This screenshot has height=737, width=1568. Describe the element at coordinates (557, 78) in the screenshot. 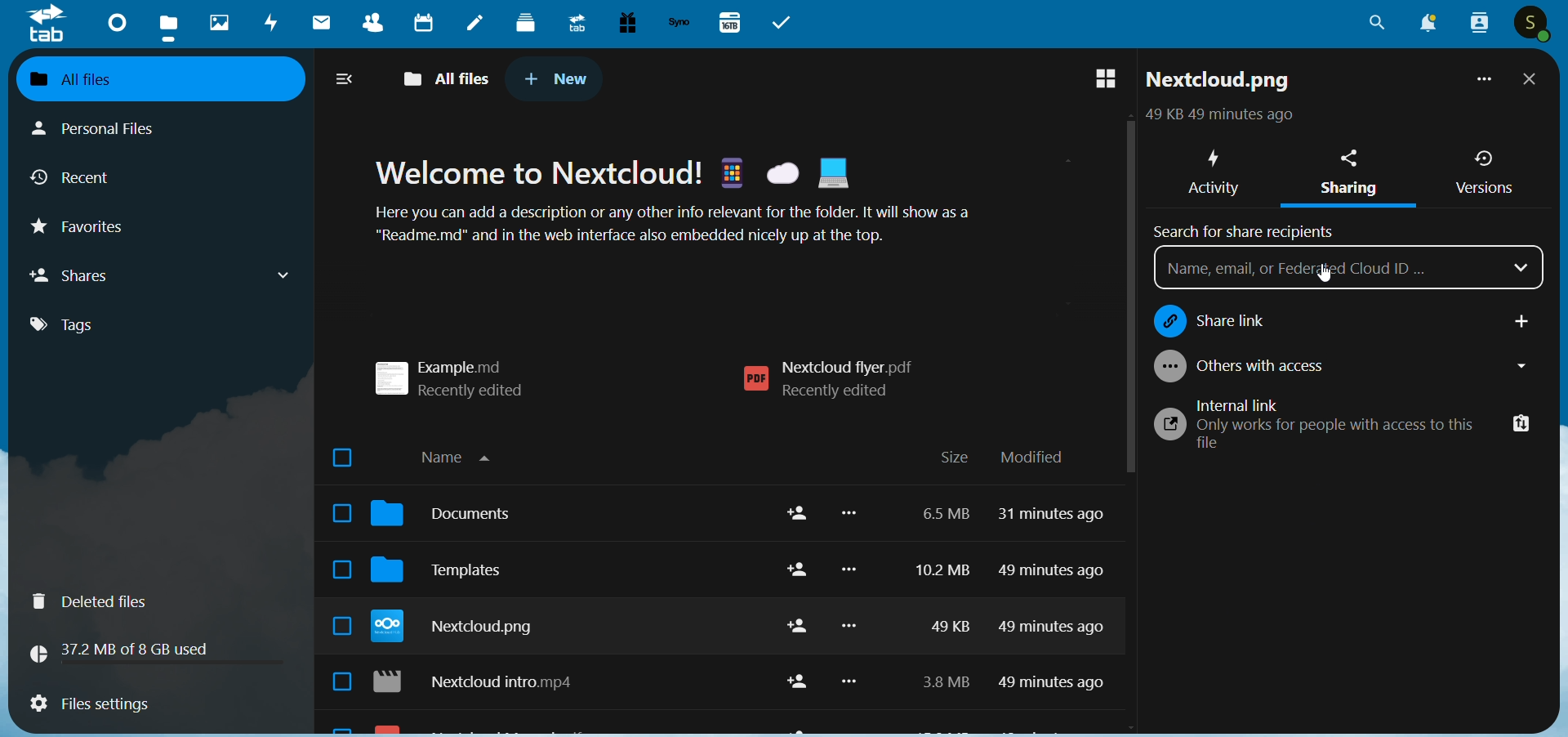

I see `new tab` at that location.